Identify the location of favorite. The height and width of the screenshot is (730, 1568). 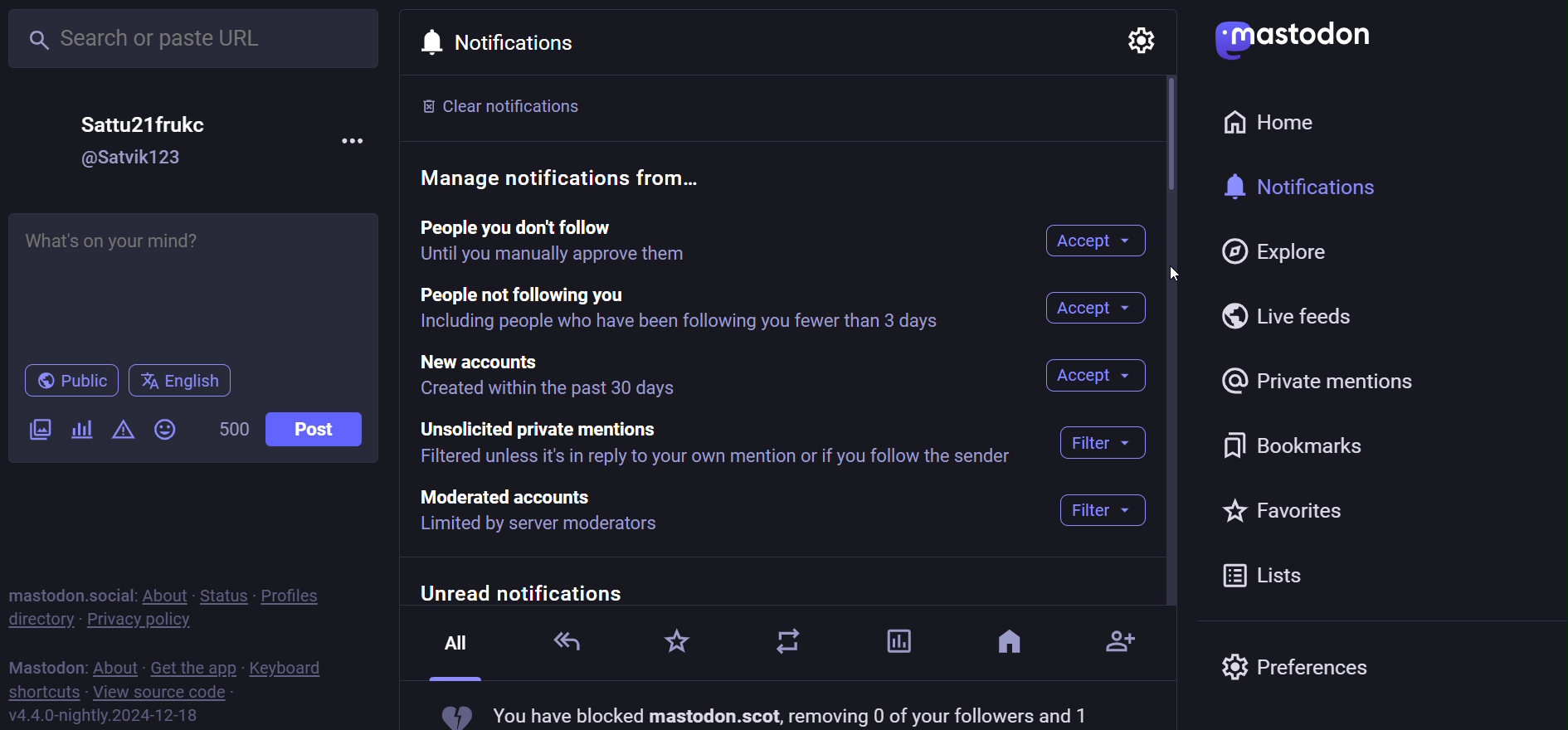
(1285, 509).